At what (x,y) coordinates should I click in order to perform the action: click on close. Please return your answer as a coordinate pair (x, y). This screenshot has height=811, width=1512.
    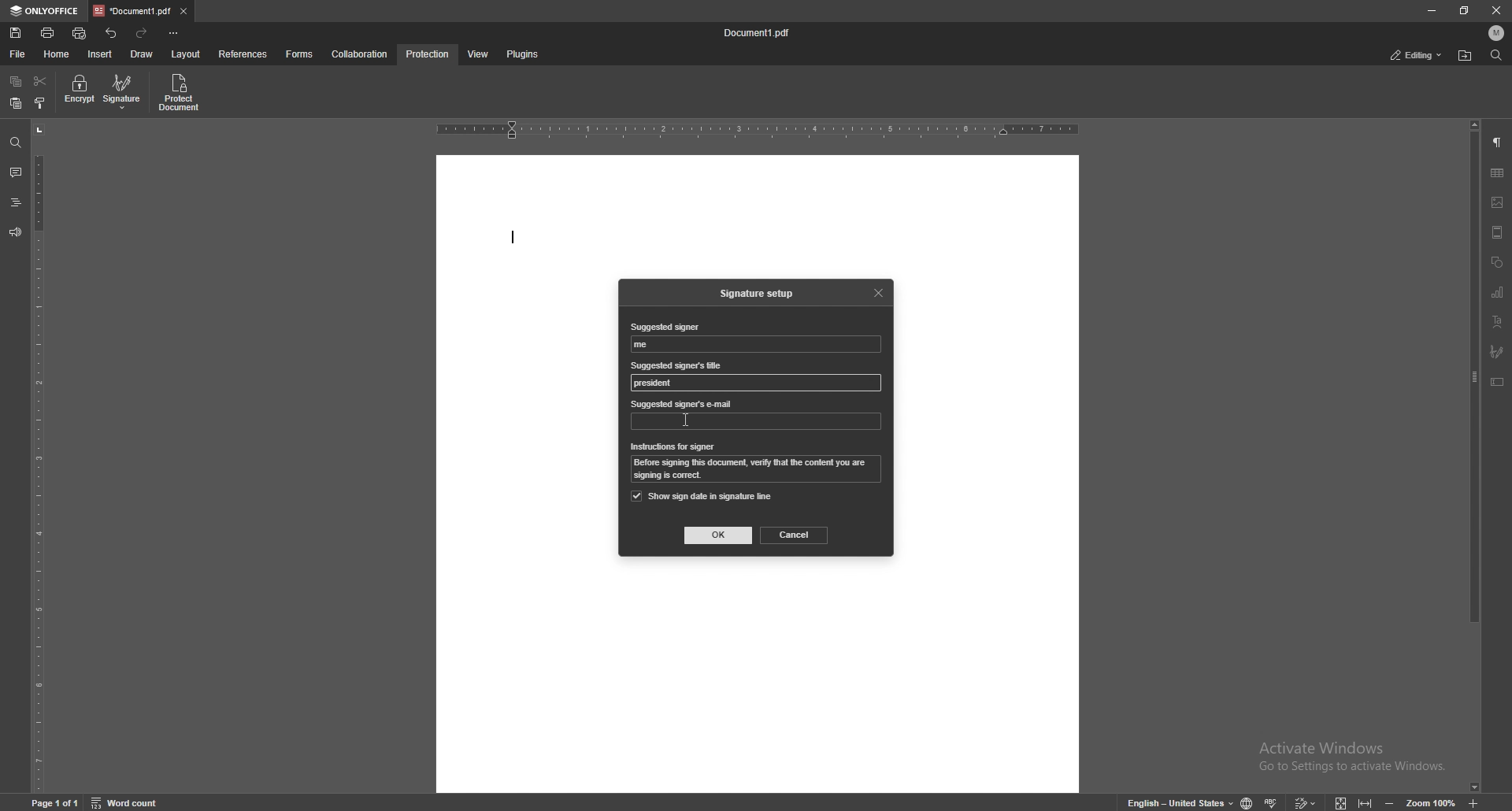
    Looking at the image, I should click on (1497, 12).